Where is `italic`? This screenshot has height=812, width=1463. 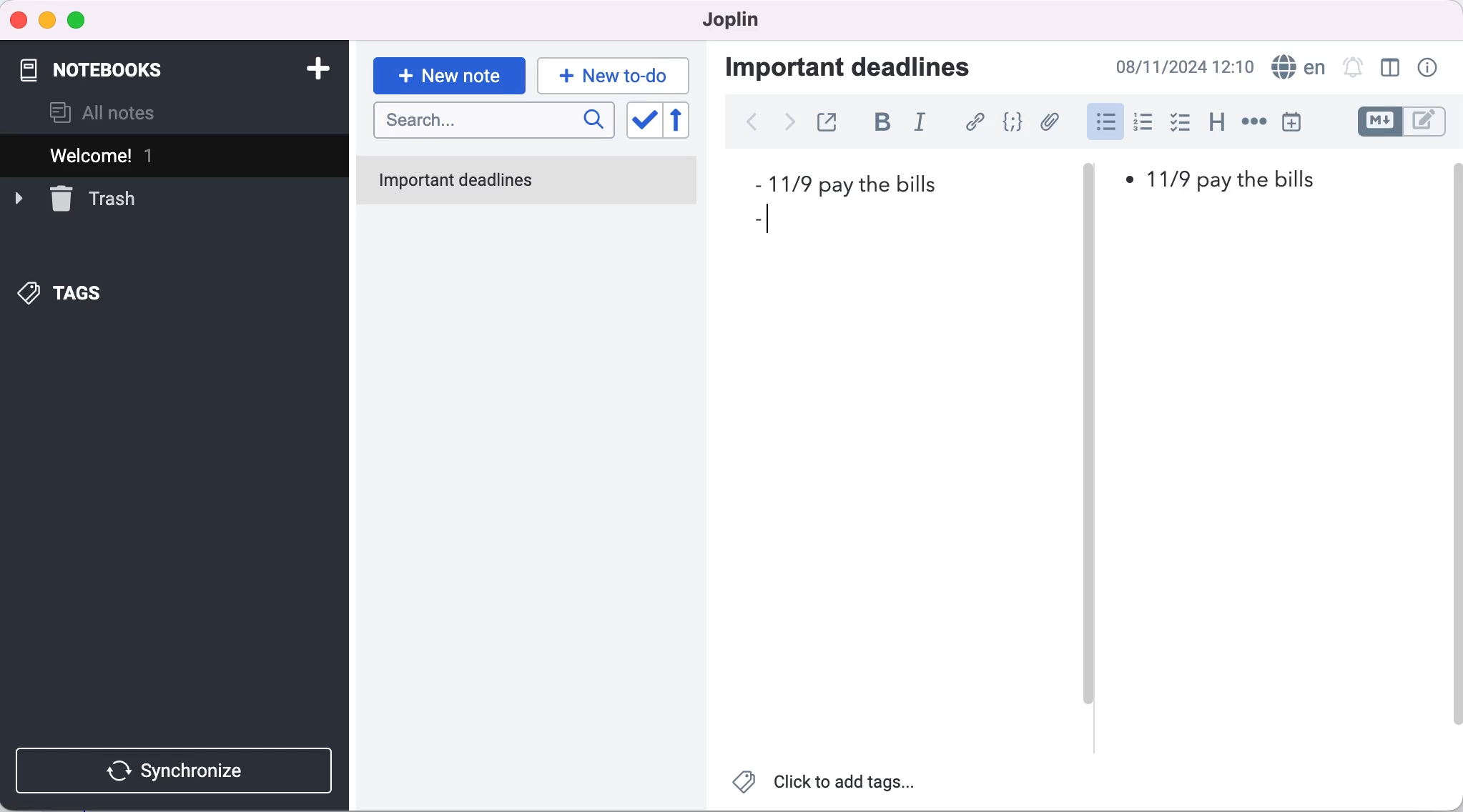 italic is located at coordinates (919, 124).